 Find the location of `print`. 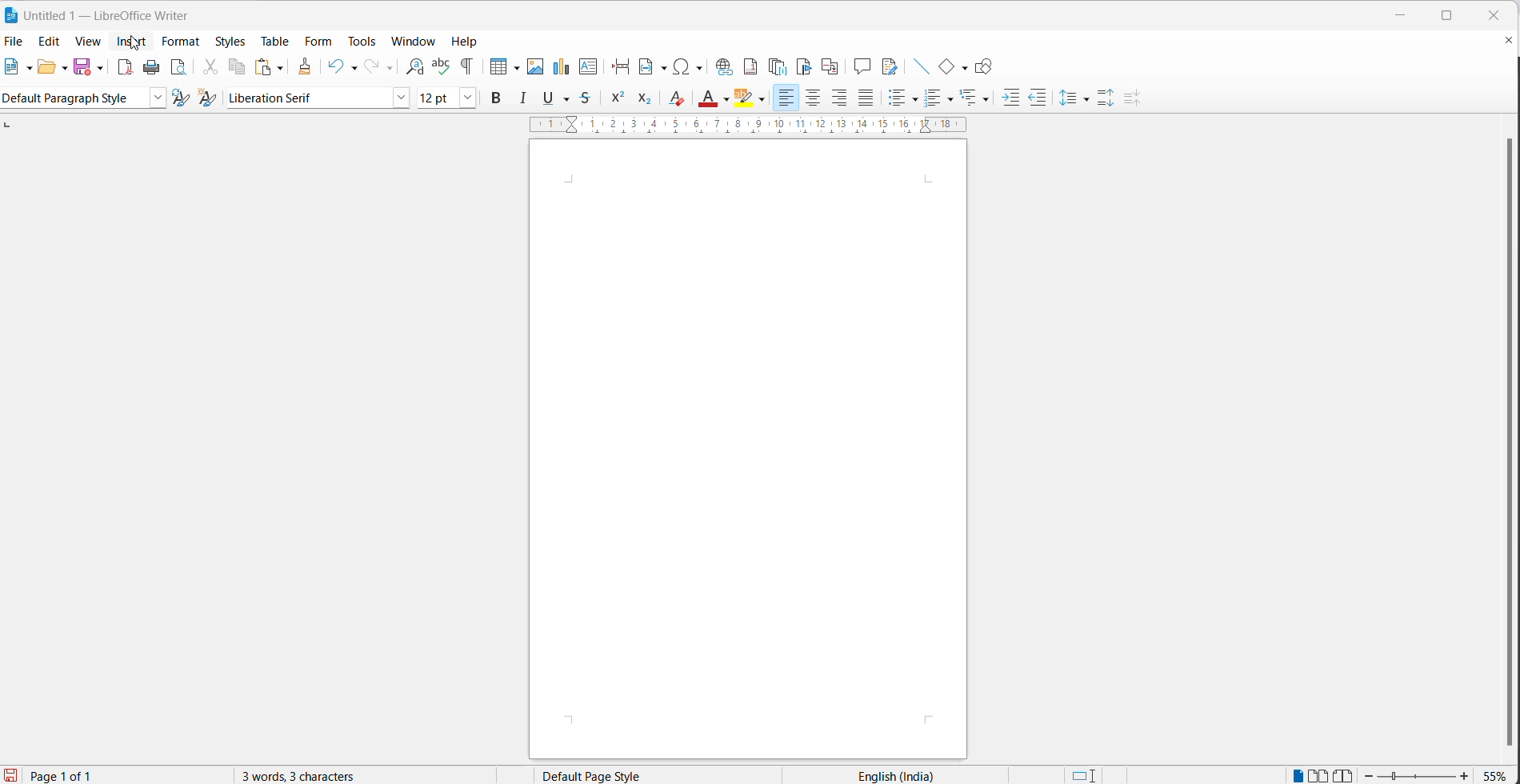

print is located at coordinates (151, 66).